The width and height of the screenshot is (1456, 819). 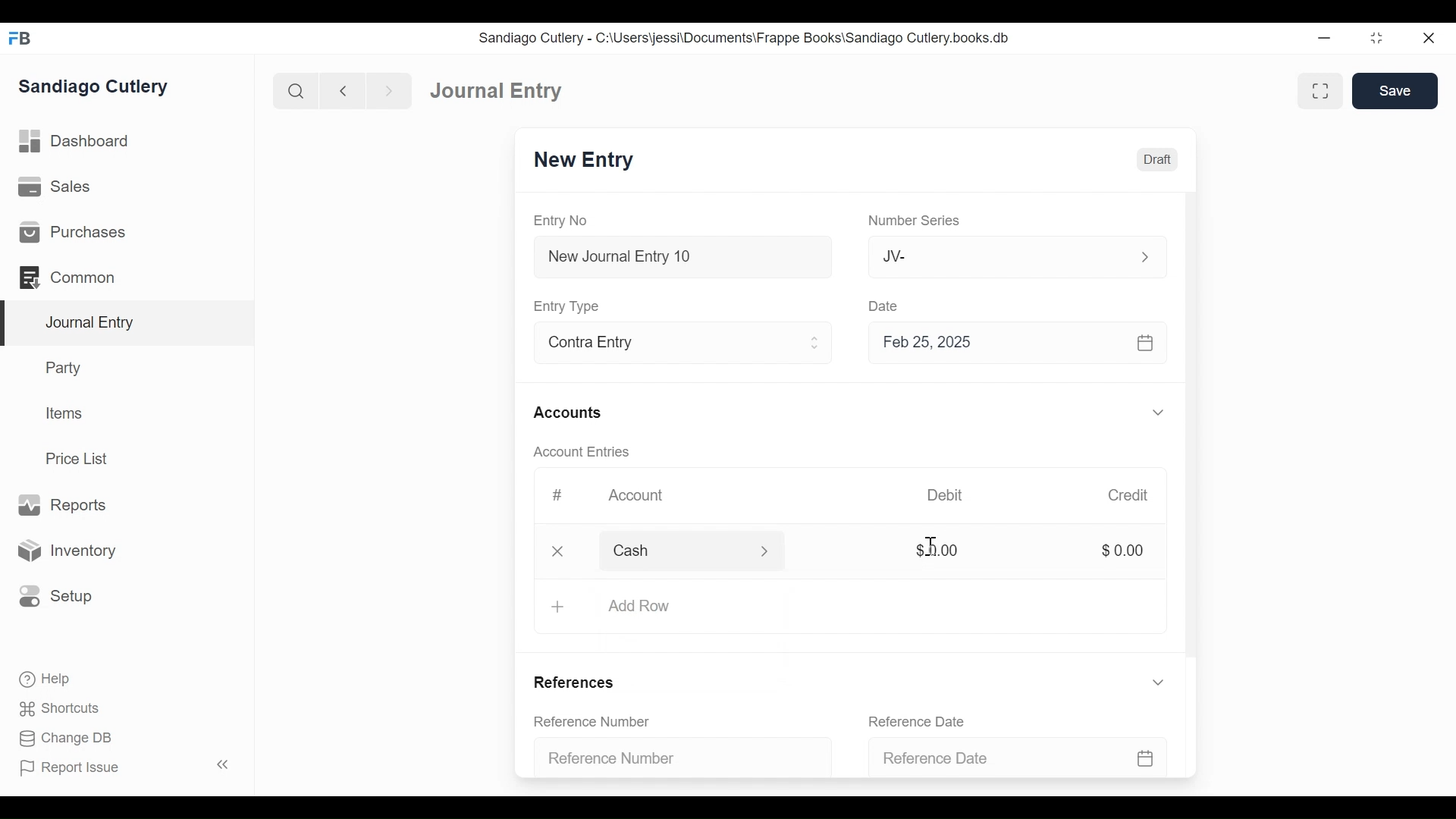 I want to click on Items, so click(x=66, y=415).